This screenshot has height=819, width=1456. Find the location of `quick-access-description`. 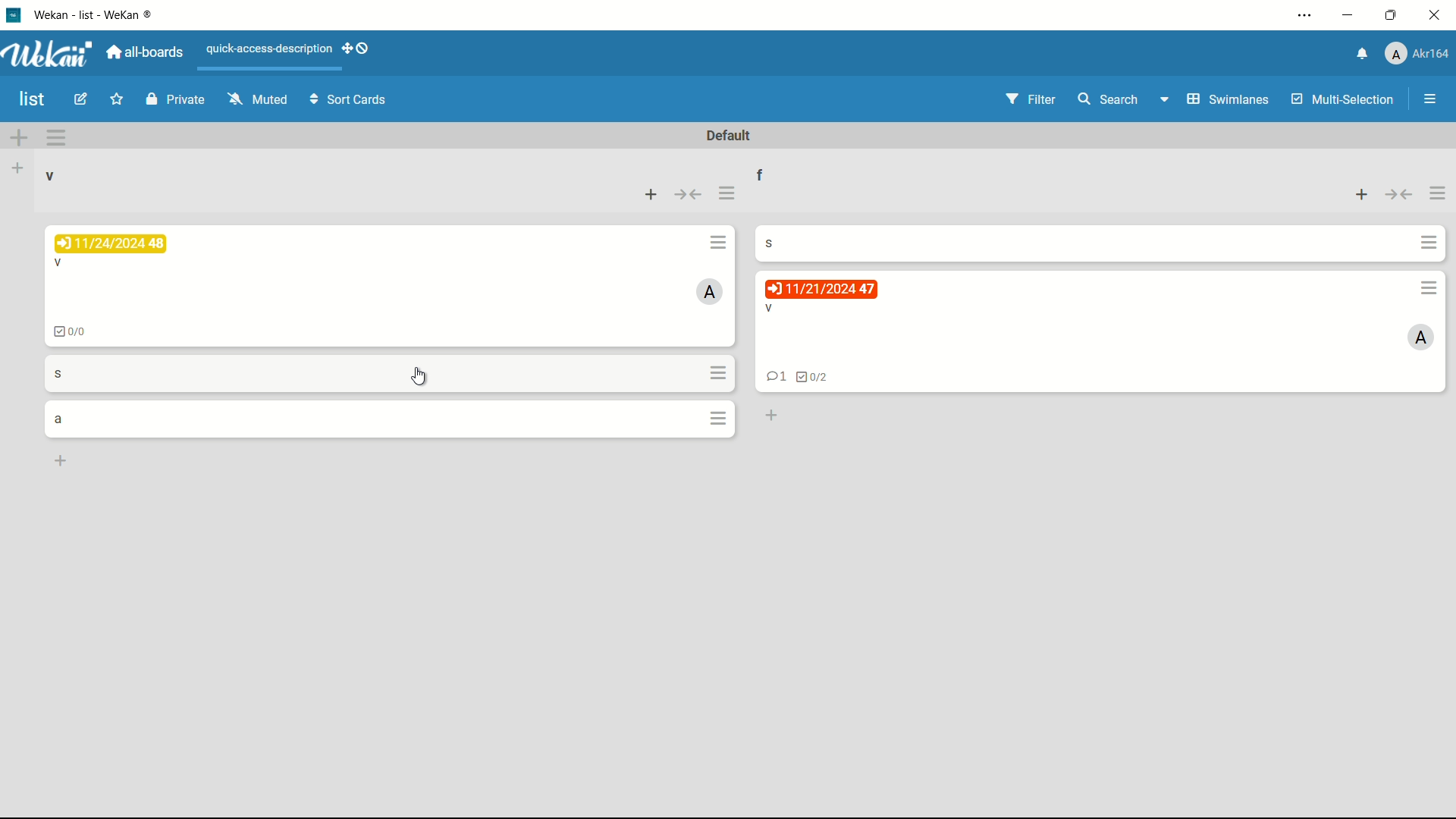

quick-access-description is located at coordinates (269, 49).